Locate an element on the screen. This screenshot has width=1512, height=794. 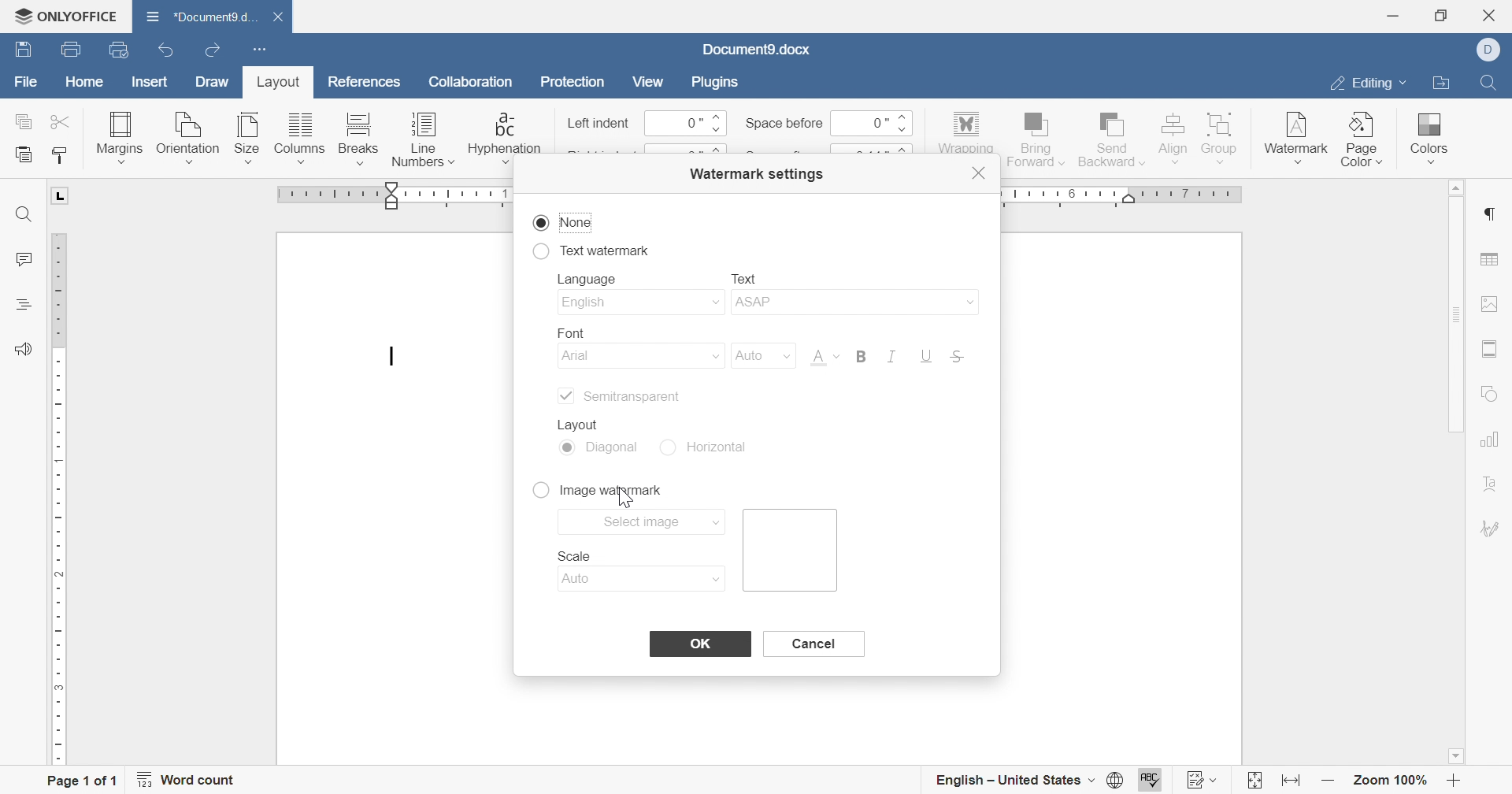
close is located at coordinates (1494, 15).